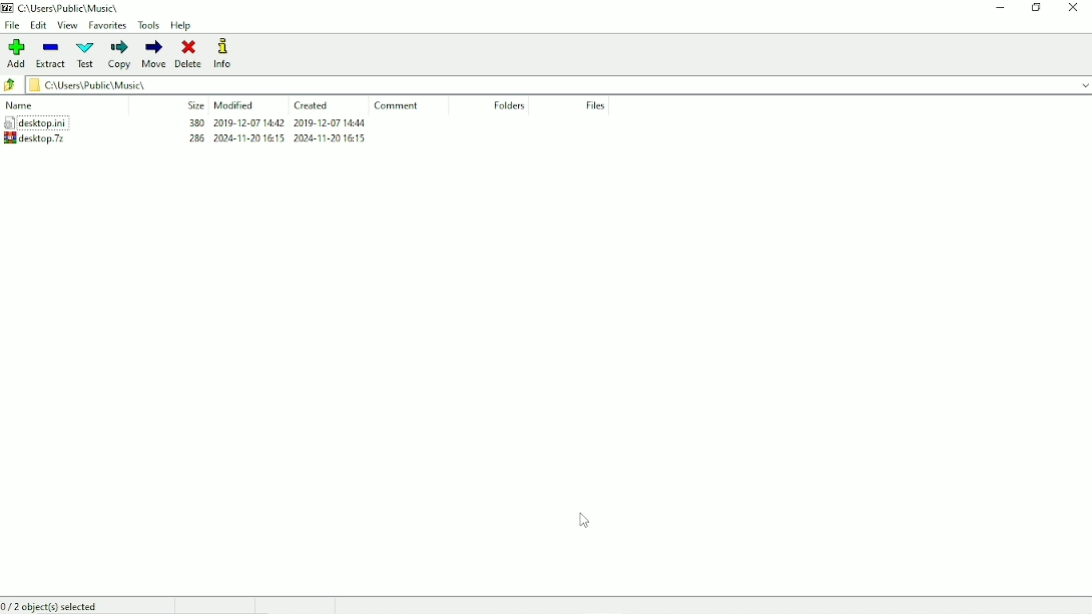 This screenshot has height=614, width=1092. Describe the element at coordinates (1001, 8) in the screenshot. I see `Minimize` at that location.